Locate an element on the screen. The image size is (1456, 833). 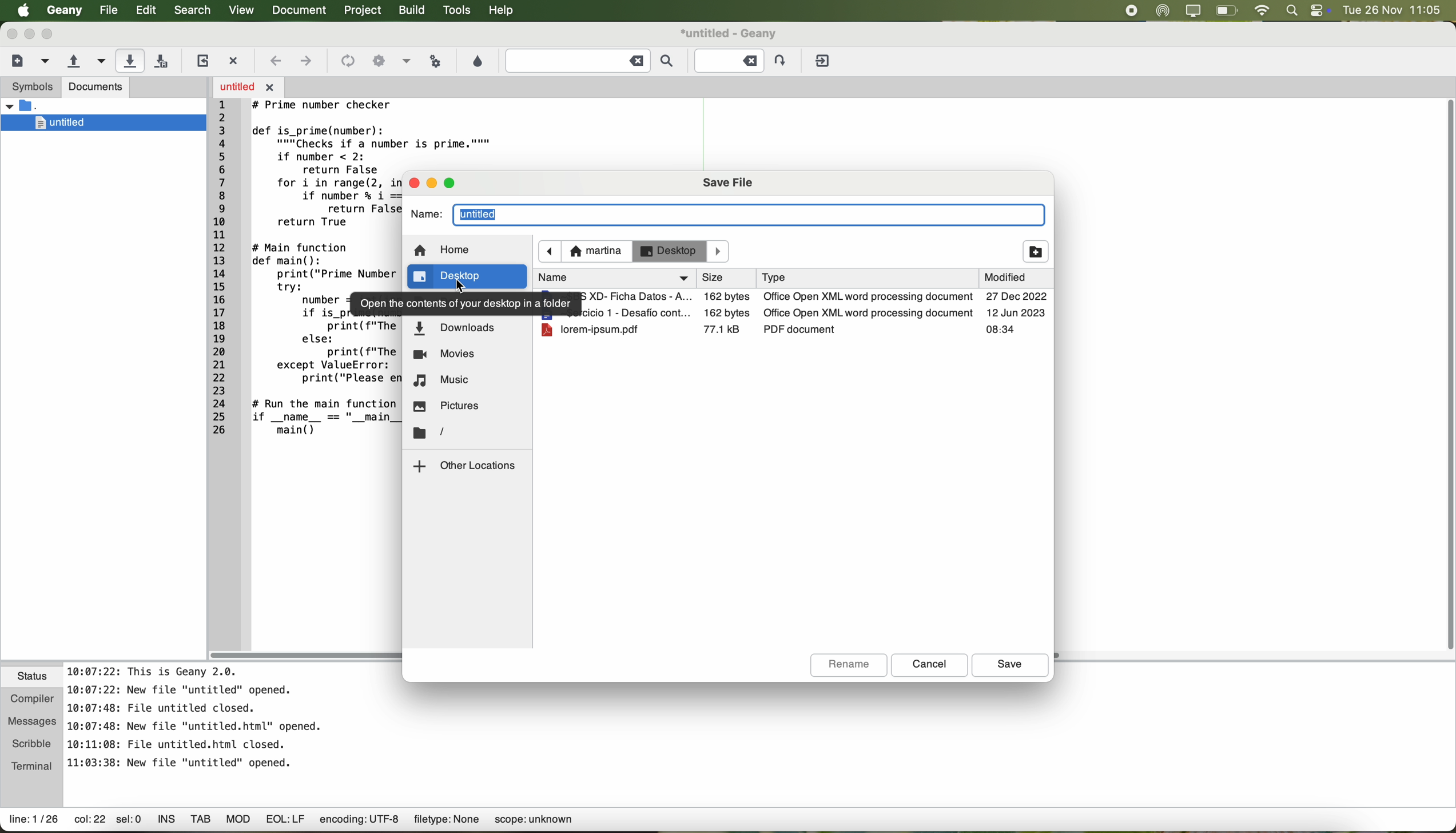
 is located at coordinates (721, 252).